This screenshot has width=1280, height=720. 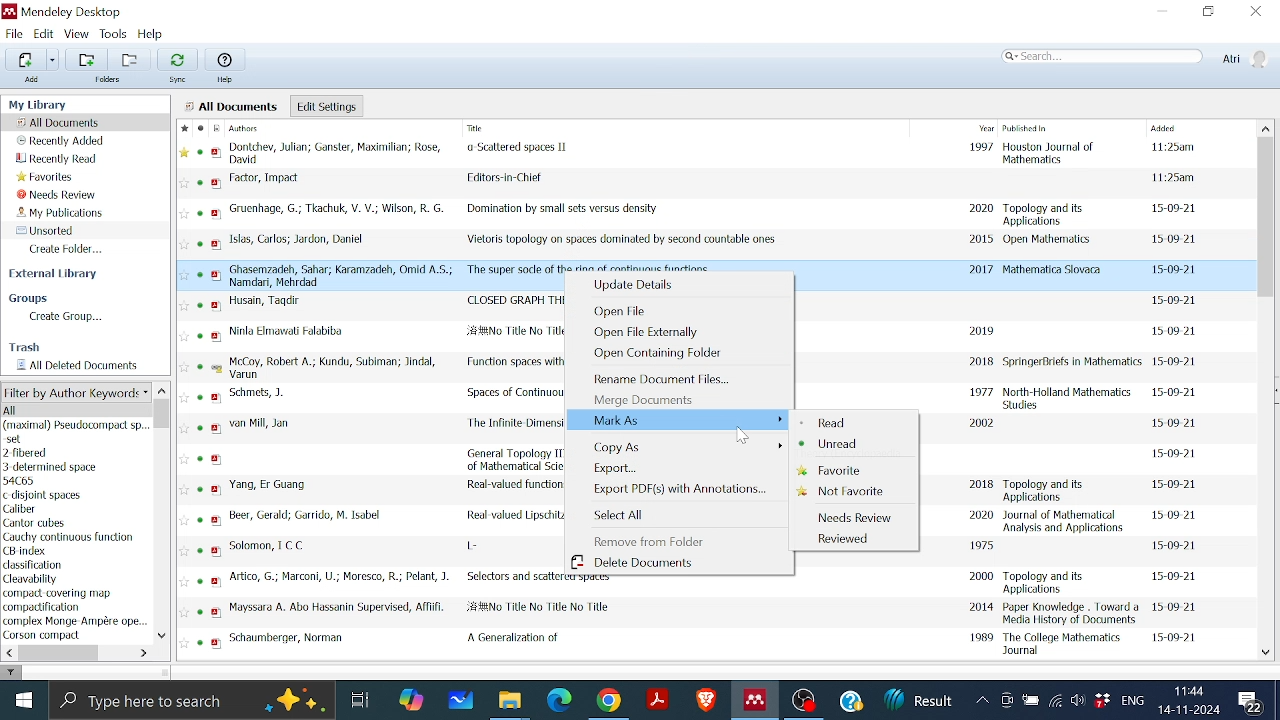 I want to click on compact covering map, so click(x=70, y=595).